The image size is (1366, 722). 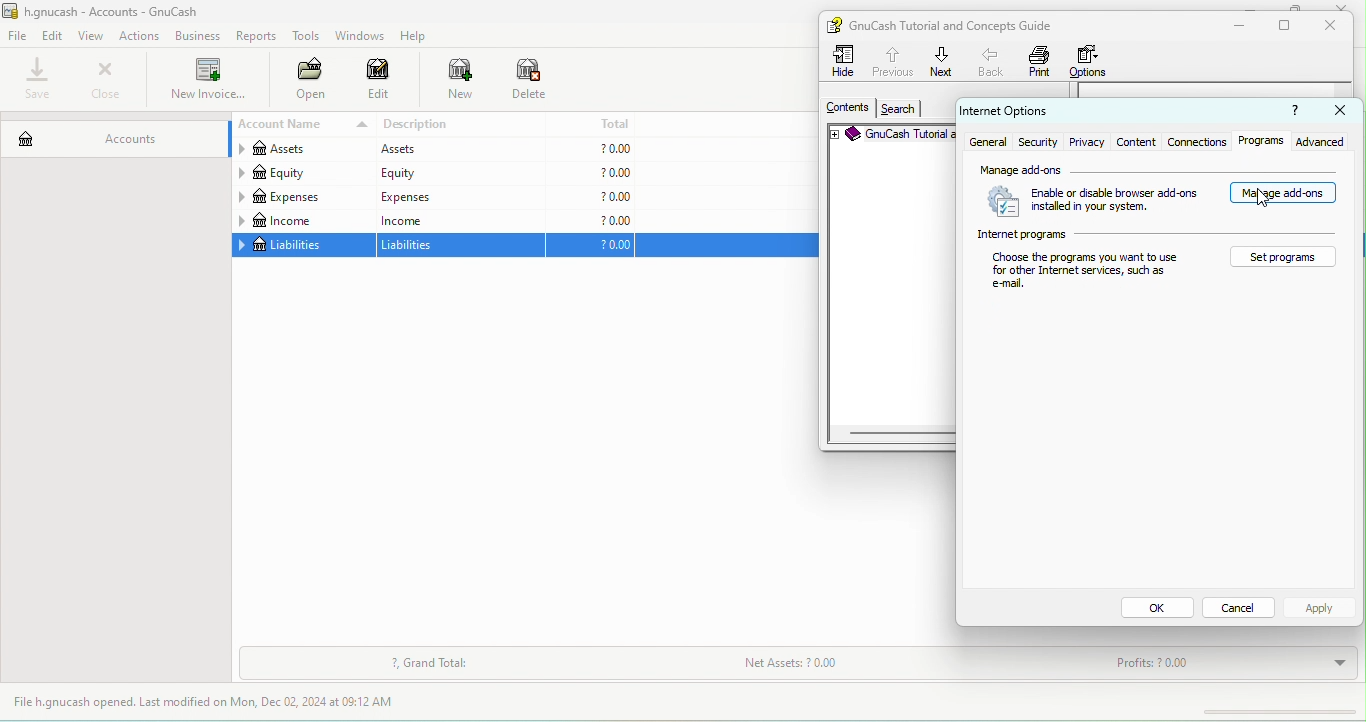 I want to click on profits?0.00, so click(x=1223, y=664).